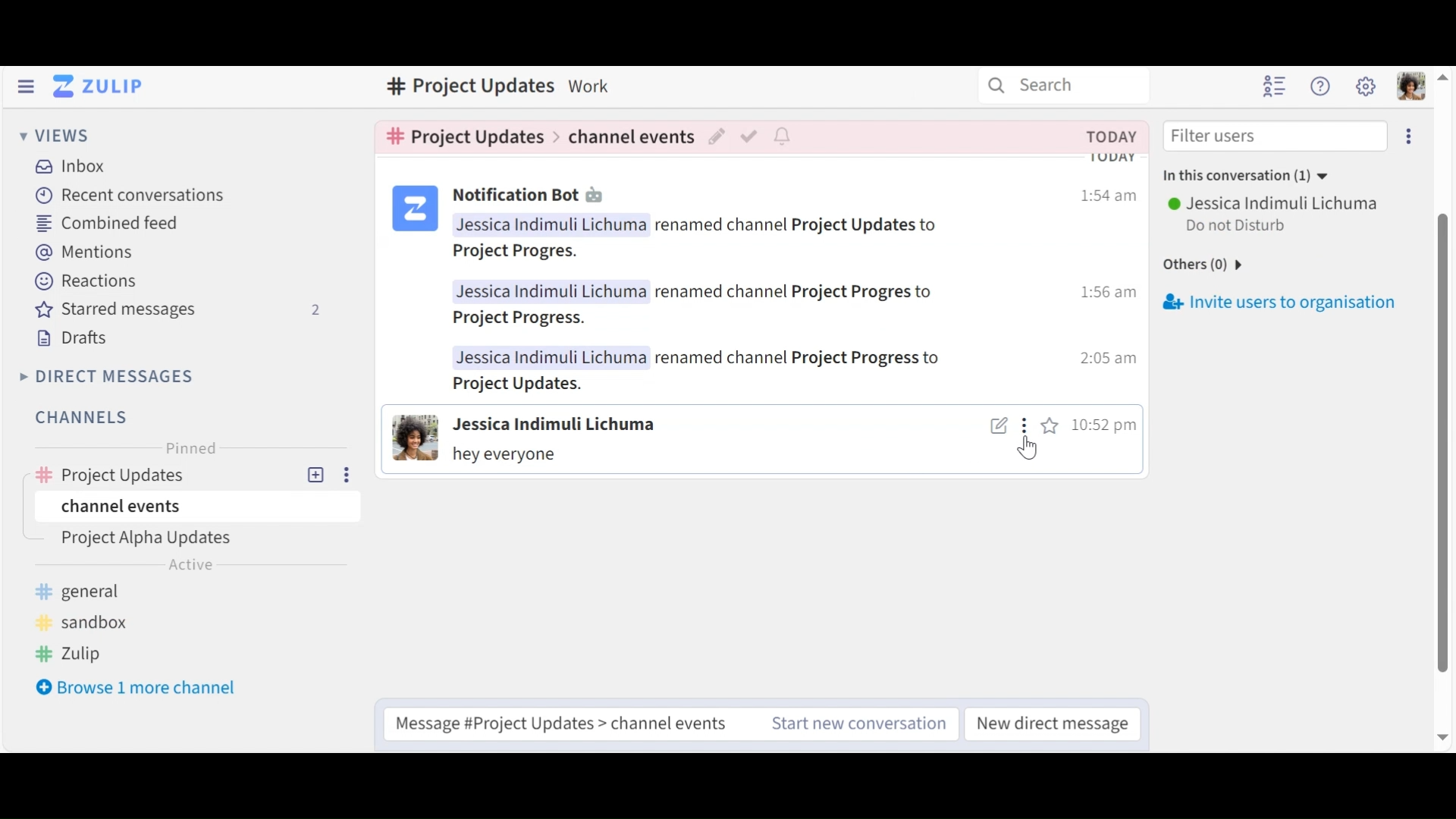 The width and height of the screenshot is (1456, 819). What do you see at coordinates (75, 339) in the screenshot?
I see `Drafts` at bounding box center [75, 339].